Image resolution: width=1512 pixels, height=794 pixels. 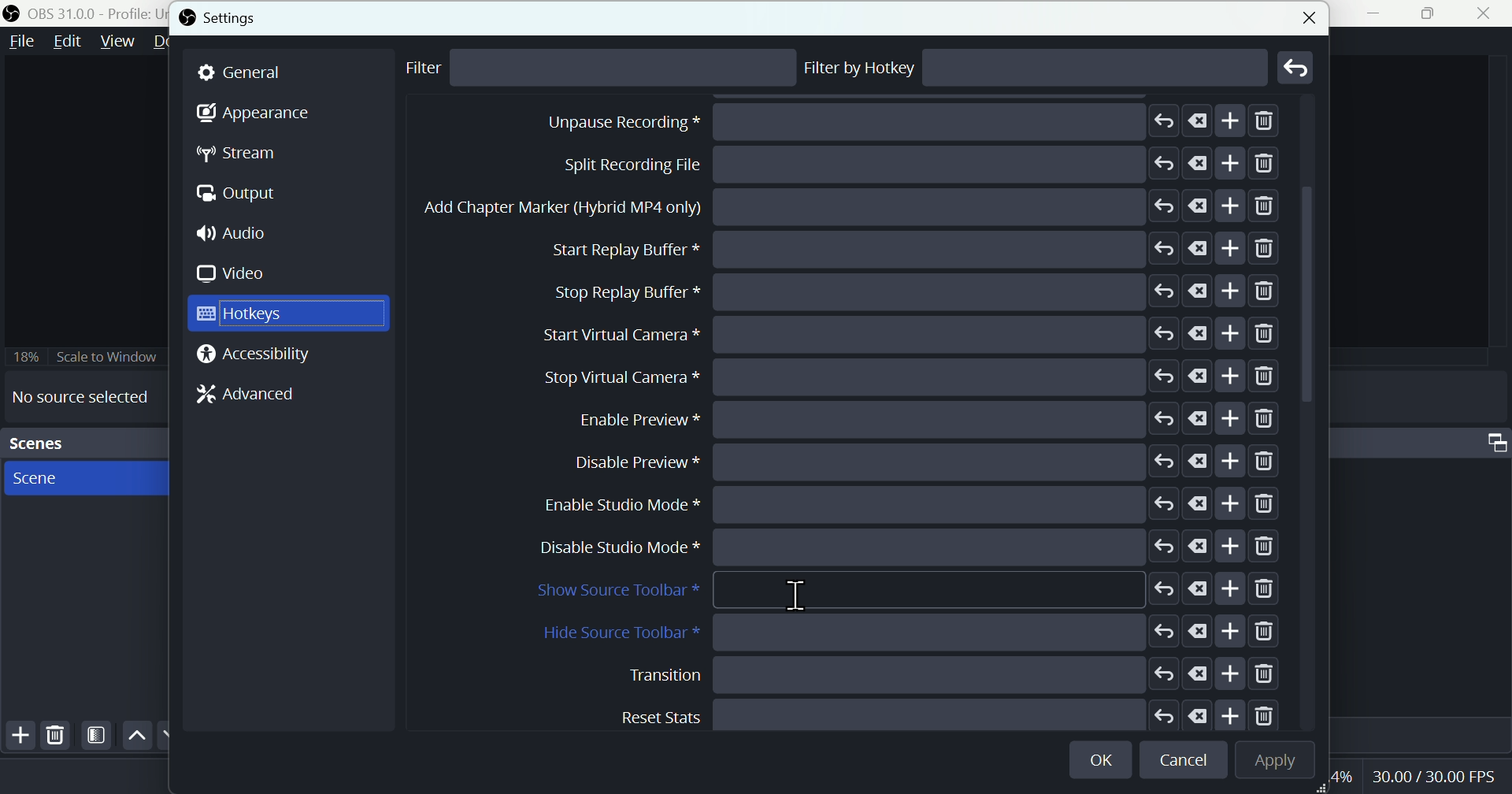 What do you see at coordinates (237, 273) in the screenshot?
I see `Video` at bounding box center [237, 273].